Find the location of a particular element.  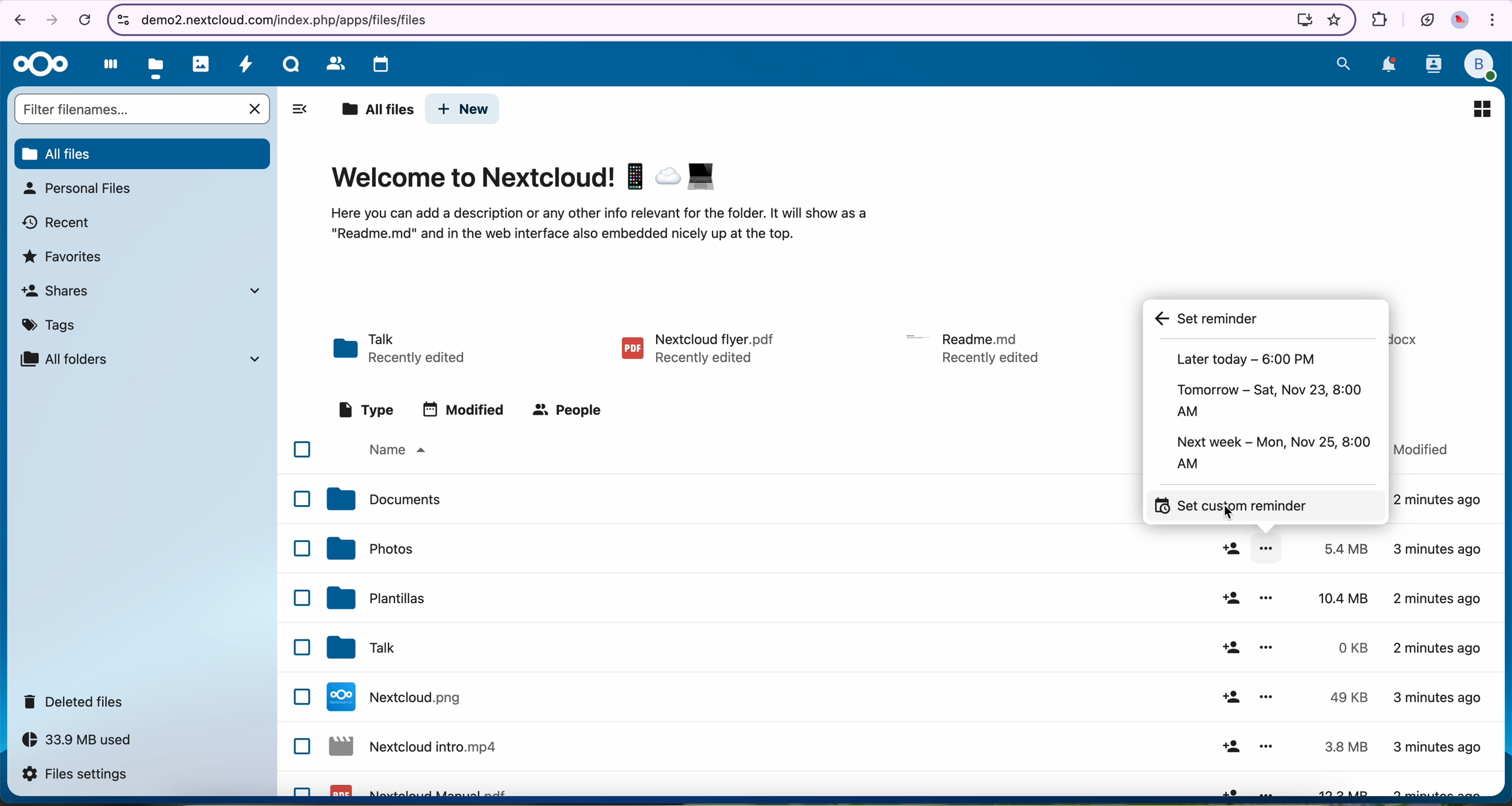

Talk folder is located at coordinates (404, 347).